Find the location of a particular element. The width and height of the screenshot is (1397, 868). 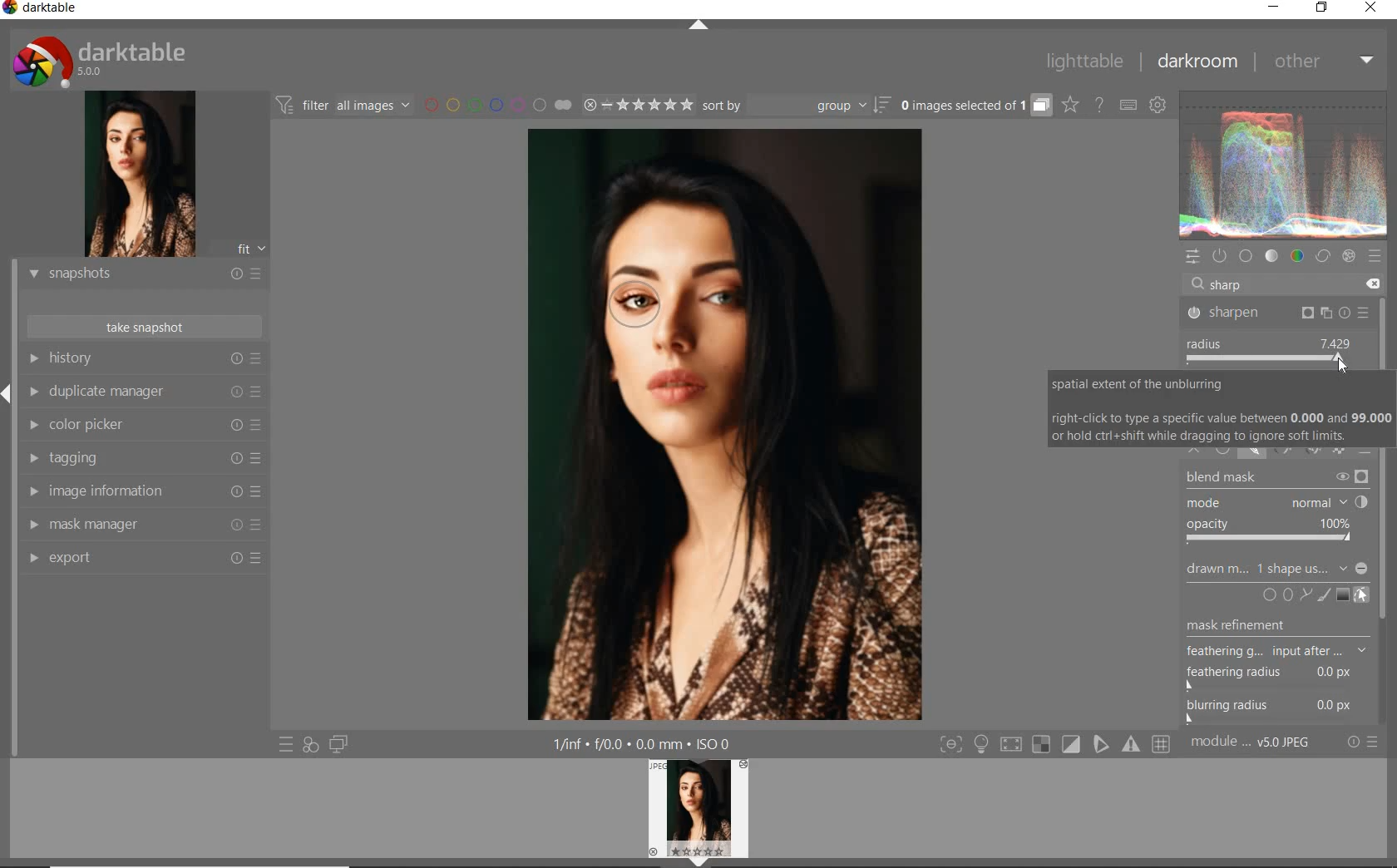

expand/collapse is located at coordinates (700, 26).